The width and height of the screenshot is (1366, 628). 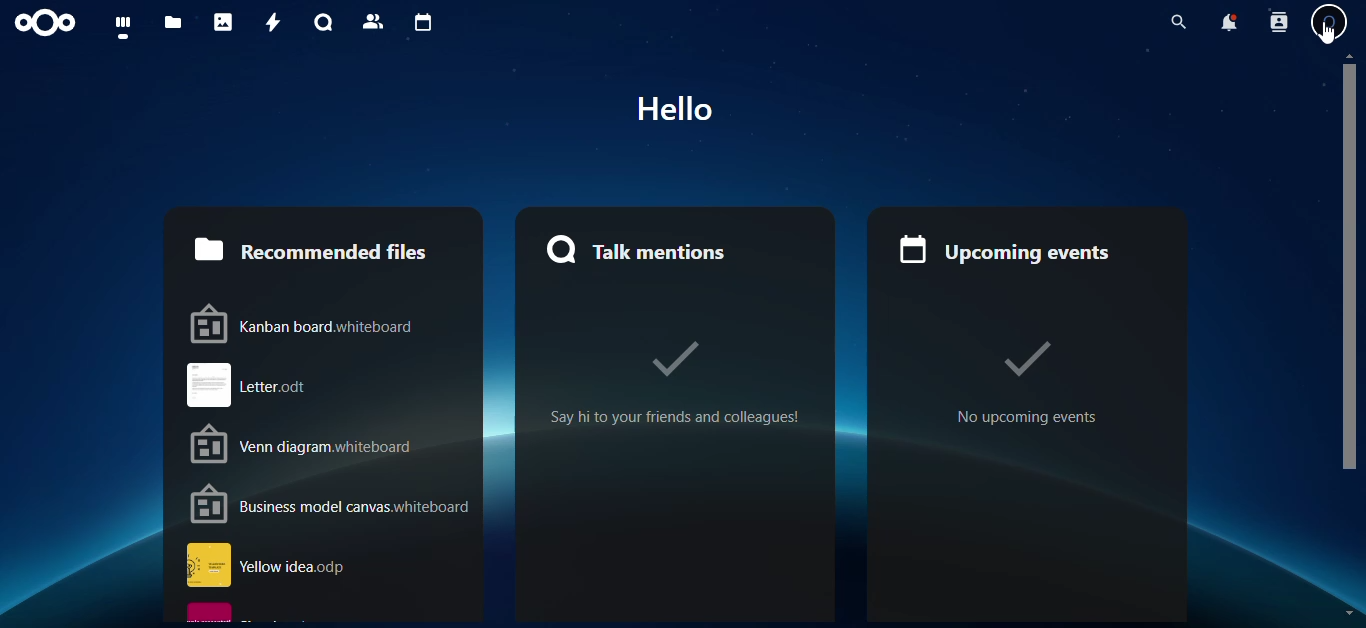 I want to click on photos, so click(x=221, y=22).